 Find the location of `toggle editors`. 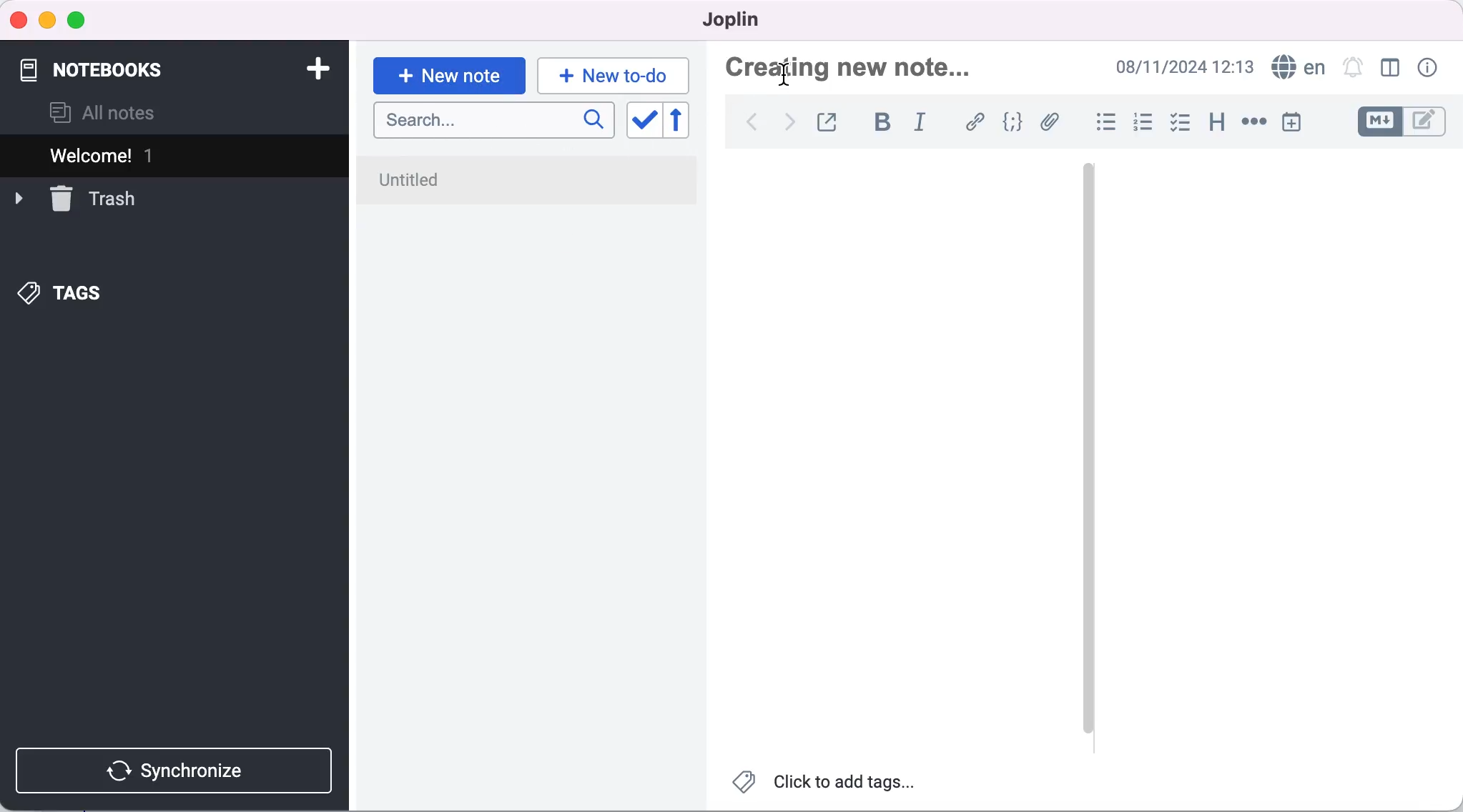

toggle editors is located at coordinates (1404, 122).